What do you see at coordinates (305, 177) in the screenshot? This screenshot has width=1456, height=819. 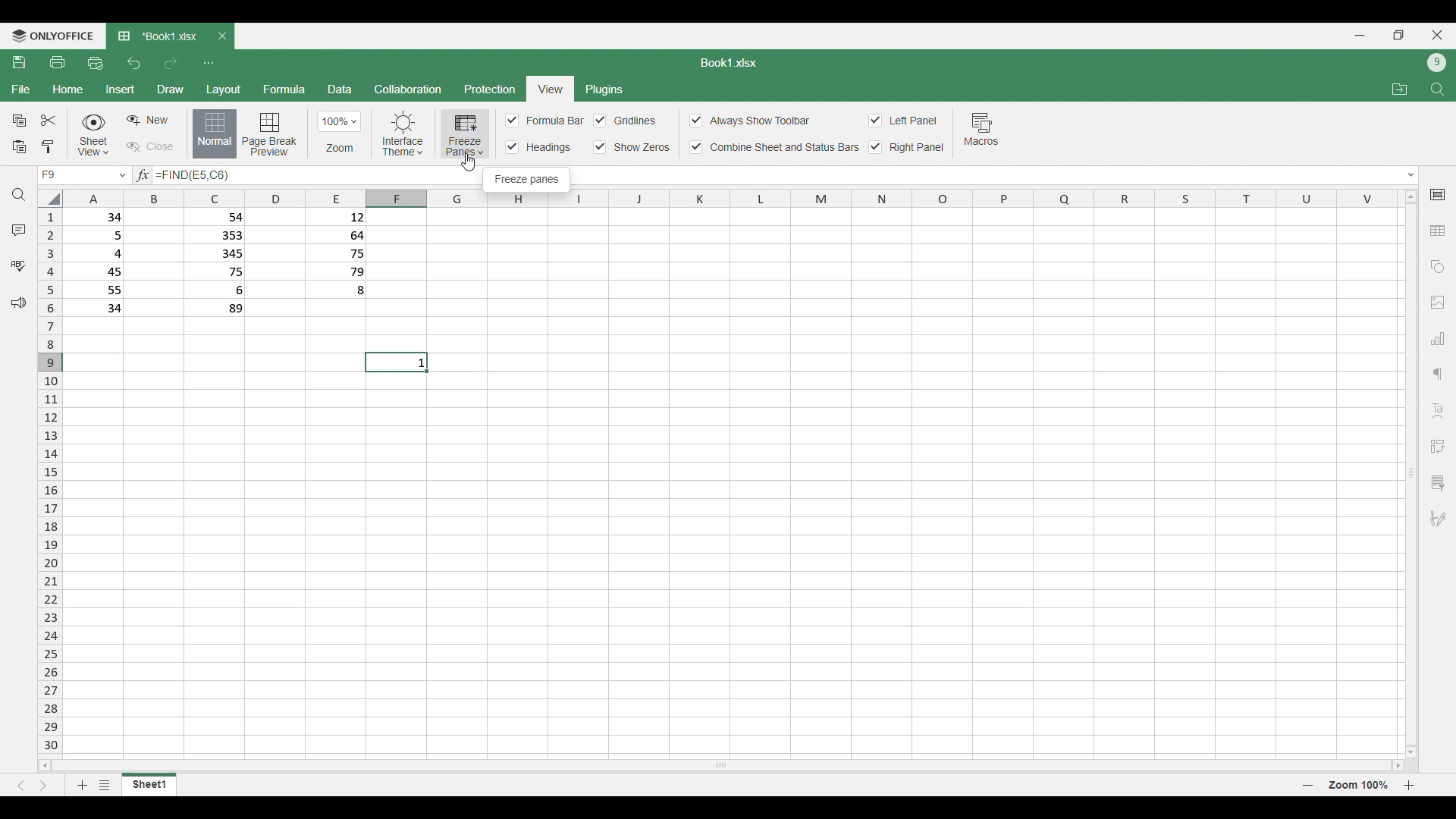 I see `Text box to type in equation` at bounding box center [305, 177].